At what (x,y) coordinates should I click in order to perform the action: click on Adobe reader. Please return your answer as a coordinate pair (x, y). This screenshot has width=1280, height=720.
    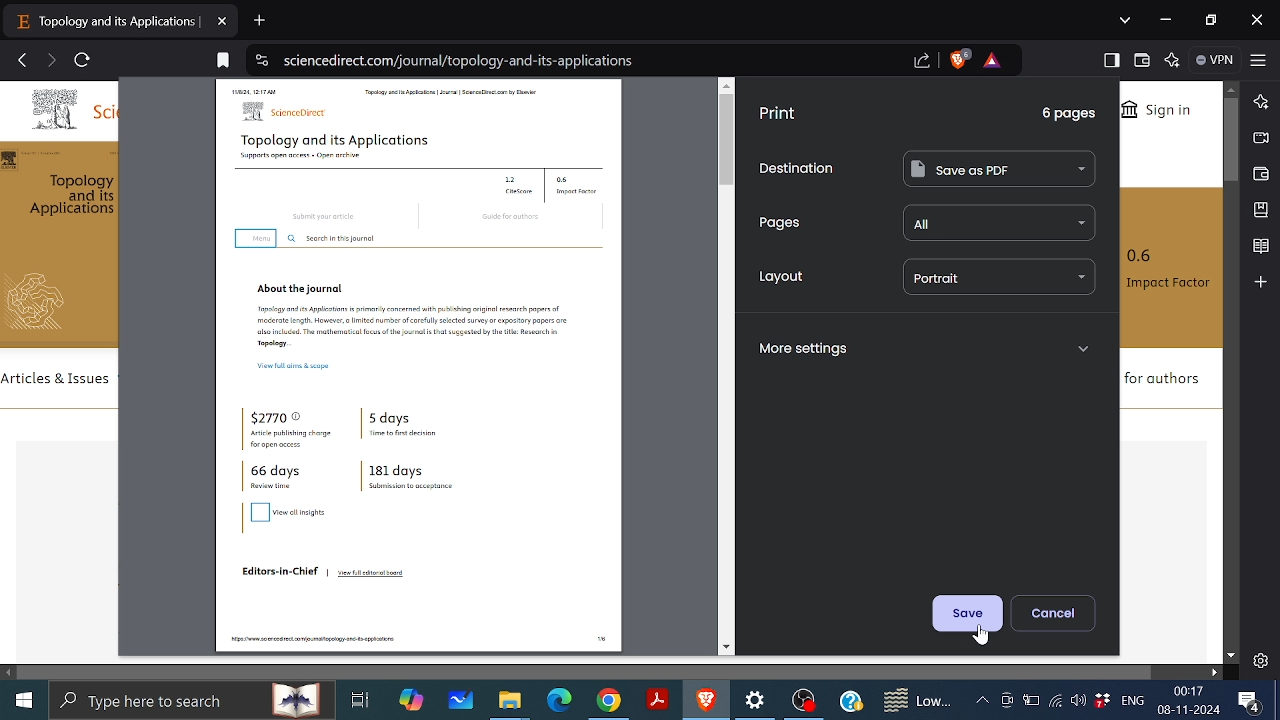
    Looking at the image, I should click on (658, 699).